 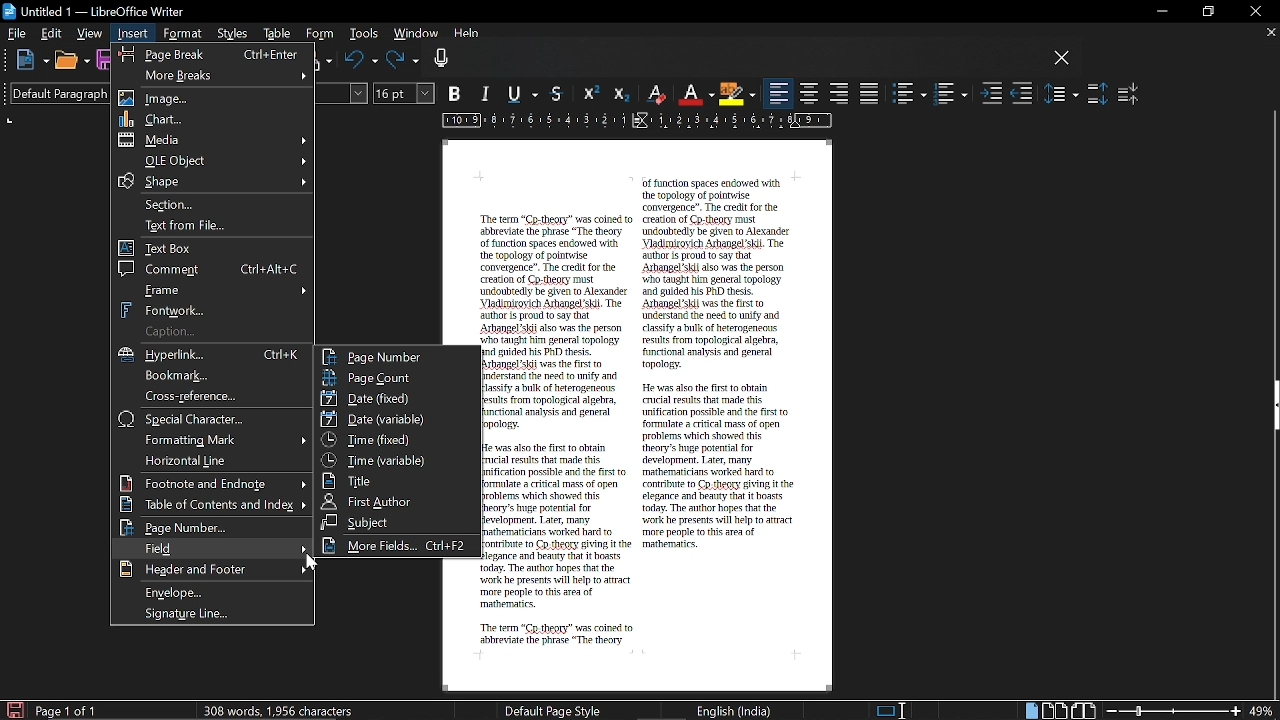 What do you see at coordinates (134, 34) in the screenshot?
I see `Insert` at bounding box center [134, 34].